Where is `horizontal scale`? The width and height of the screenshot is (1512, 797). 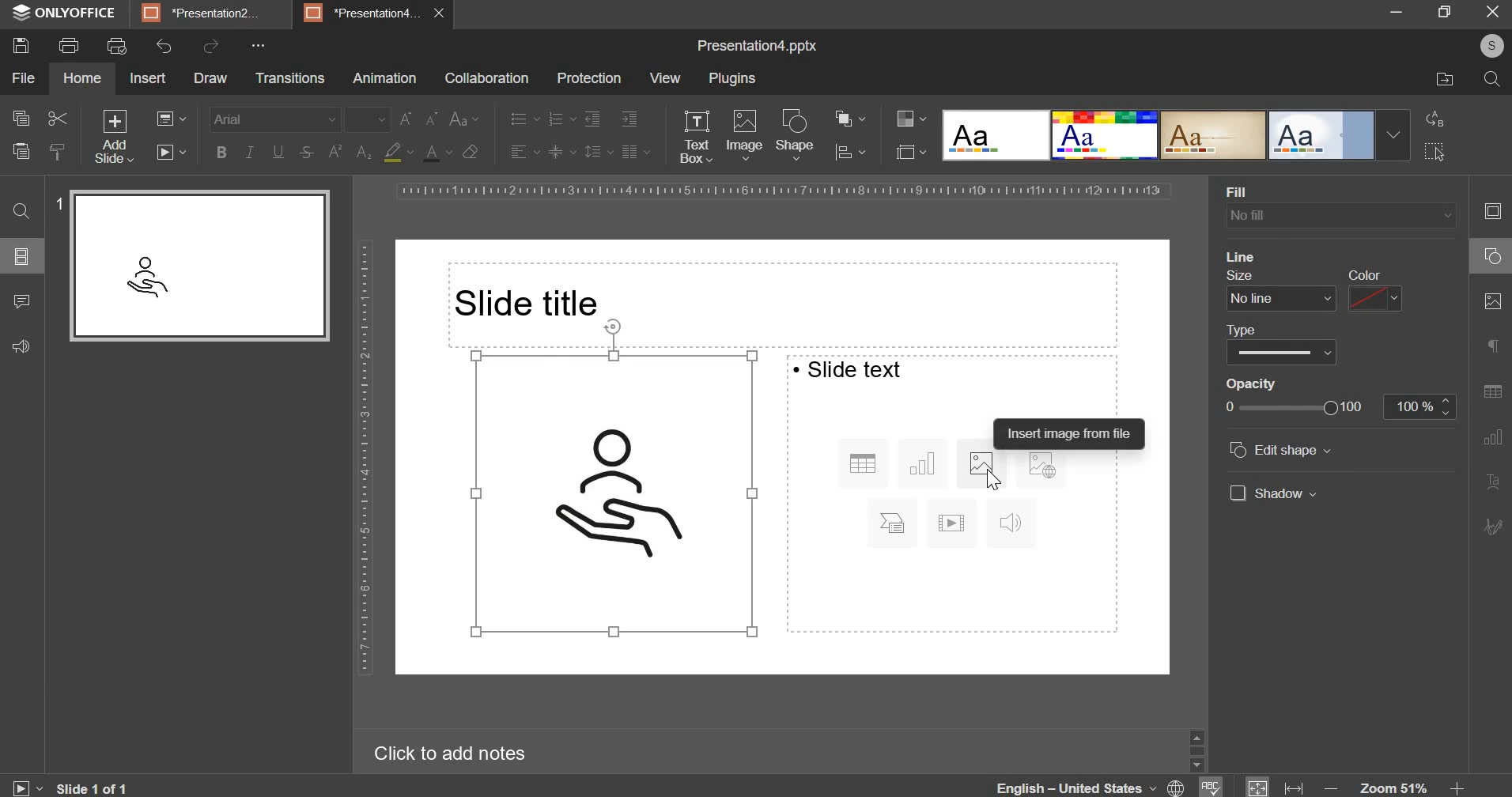
horizontal scale is located at coordinates (784, 190).